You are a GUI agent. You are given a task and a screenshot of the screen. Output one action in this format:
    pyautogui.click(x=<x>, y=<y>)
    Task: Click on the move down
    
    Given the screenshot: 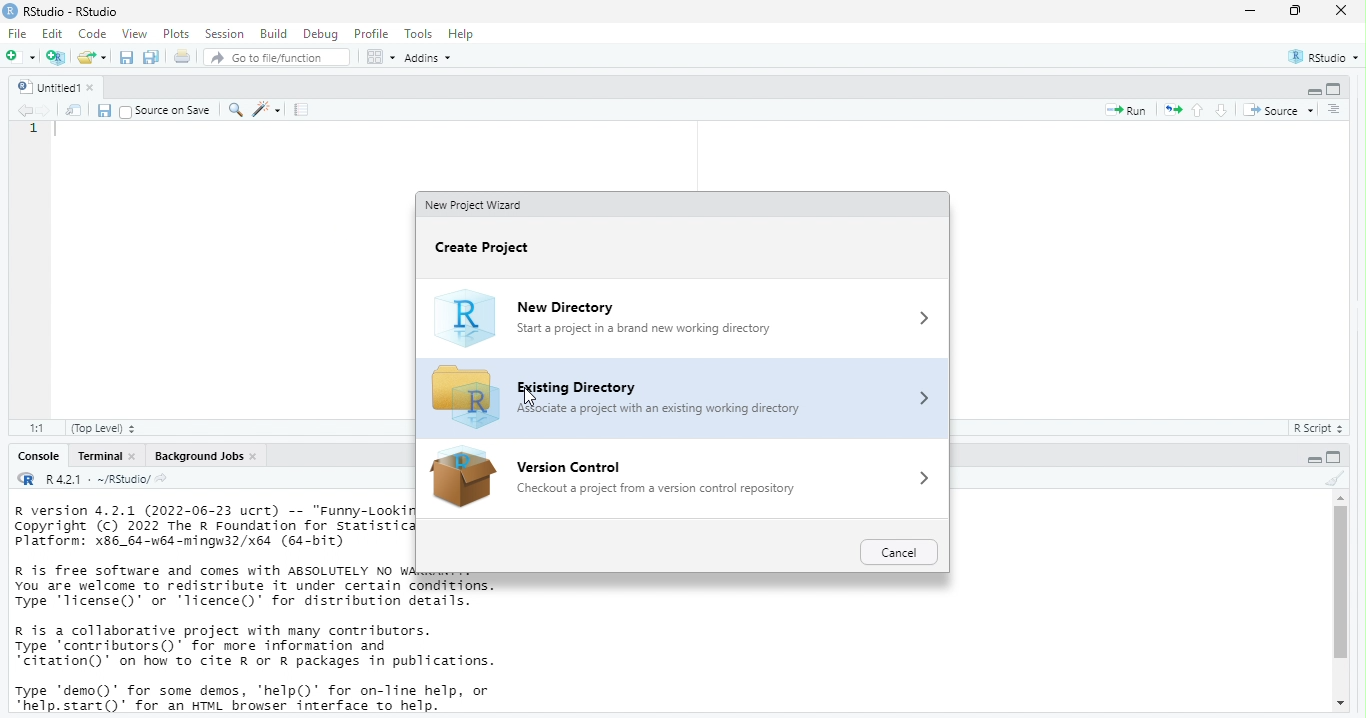 What is the action you would take?
    pyautogui.click(x=1345, y=703)
    